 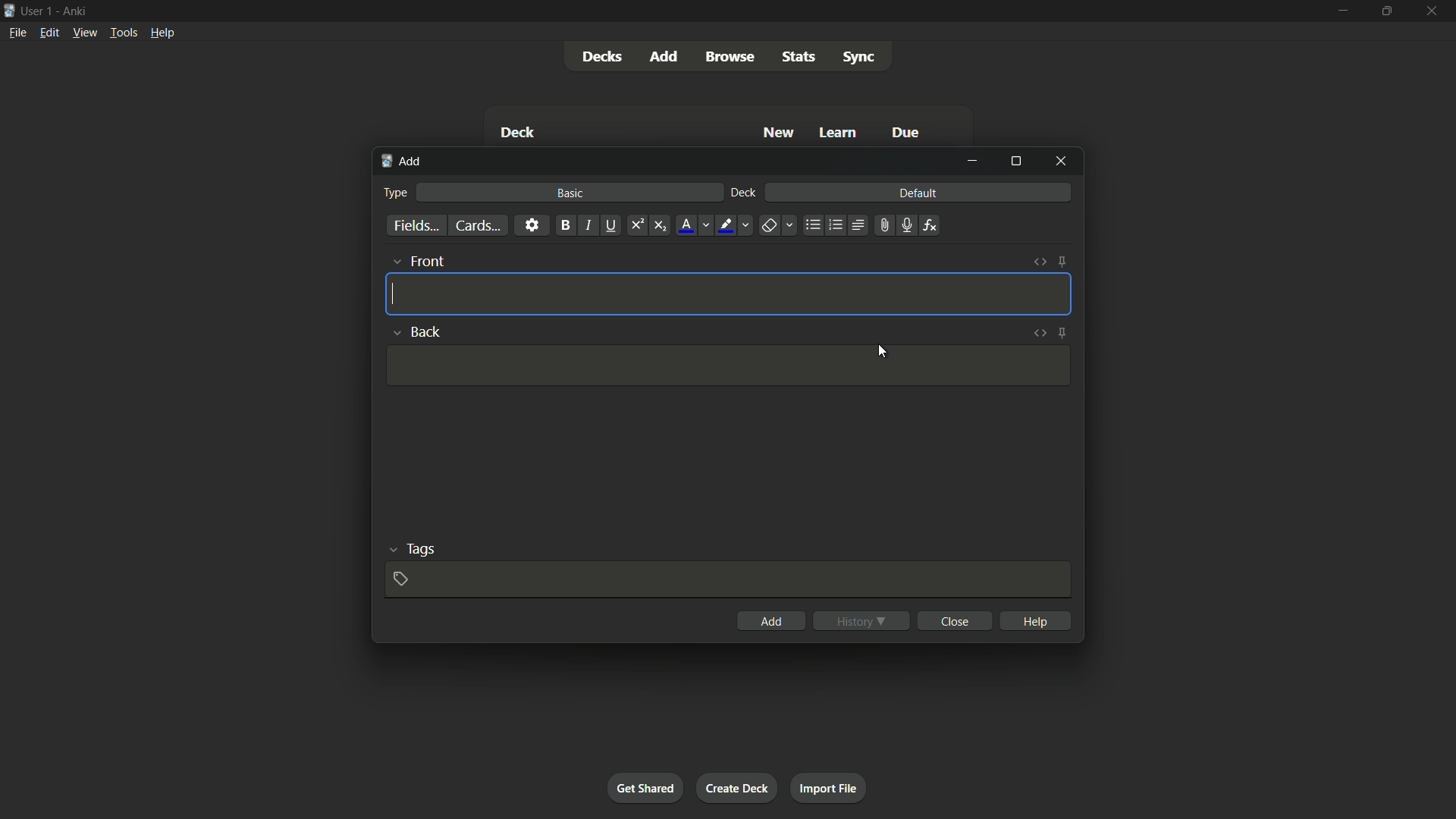 I want to click on add, so click(x=773, y=620).